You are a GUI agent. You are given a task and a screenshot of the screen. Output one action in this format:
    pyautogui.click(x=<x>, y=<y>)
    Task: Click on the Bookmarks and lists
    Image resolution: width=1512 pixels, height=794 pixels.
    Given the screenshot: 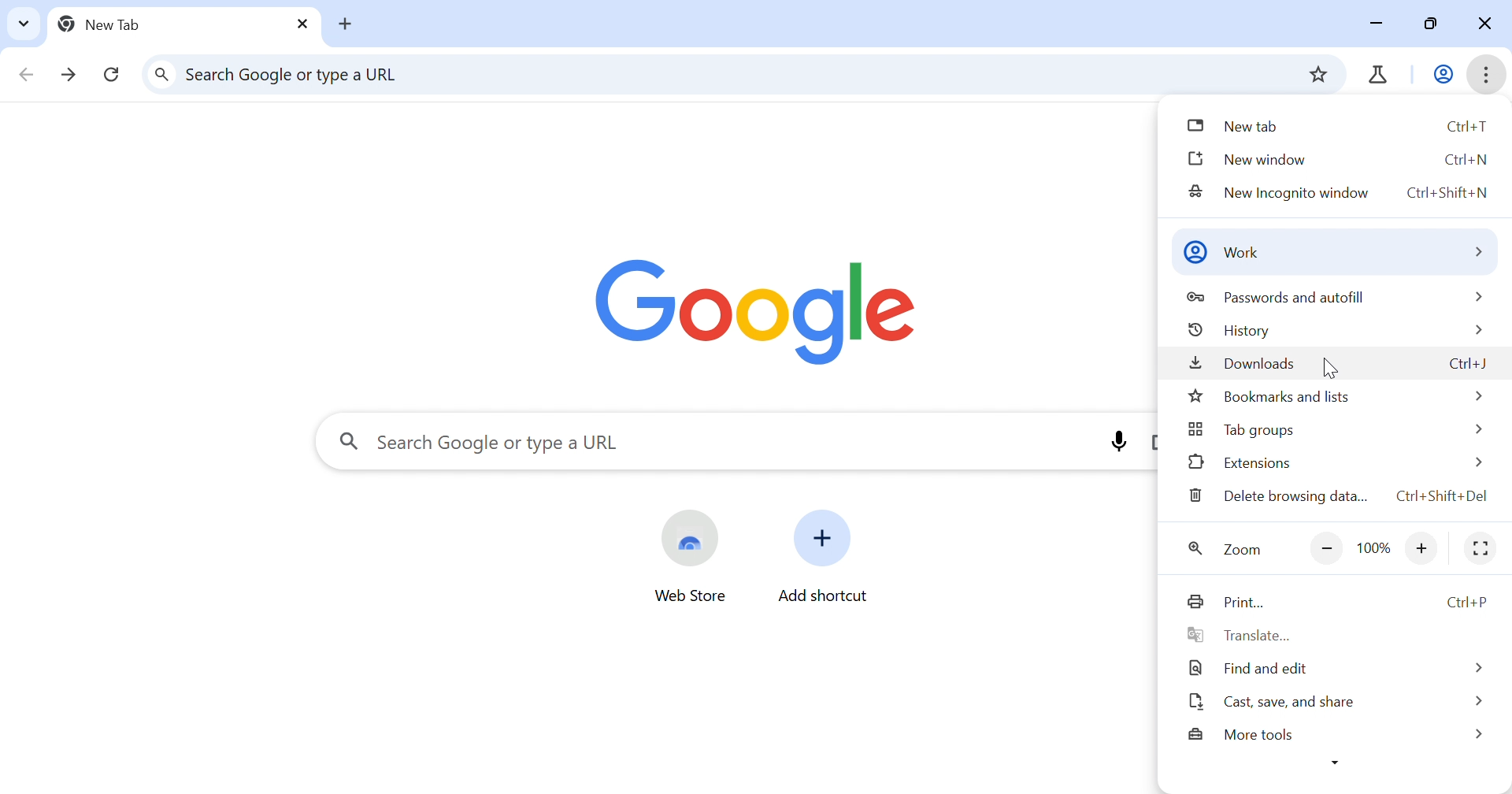 What is the action you would take?
    pyautogui.click(x=1269, y=398)
    